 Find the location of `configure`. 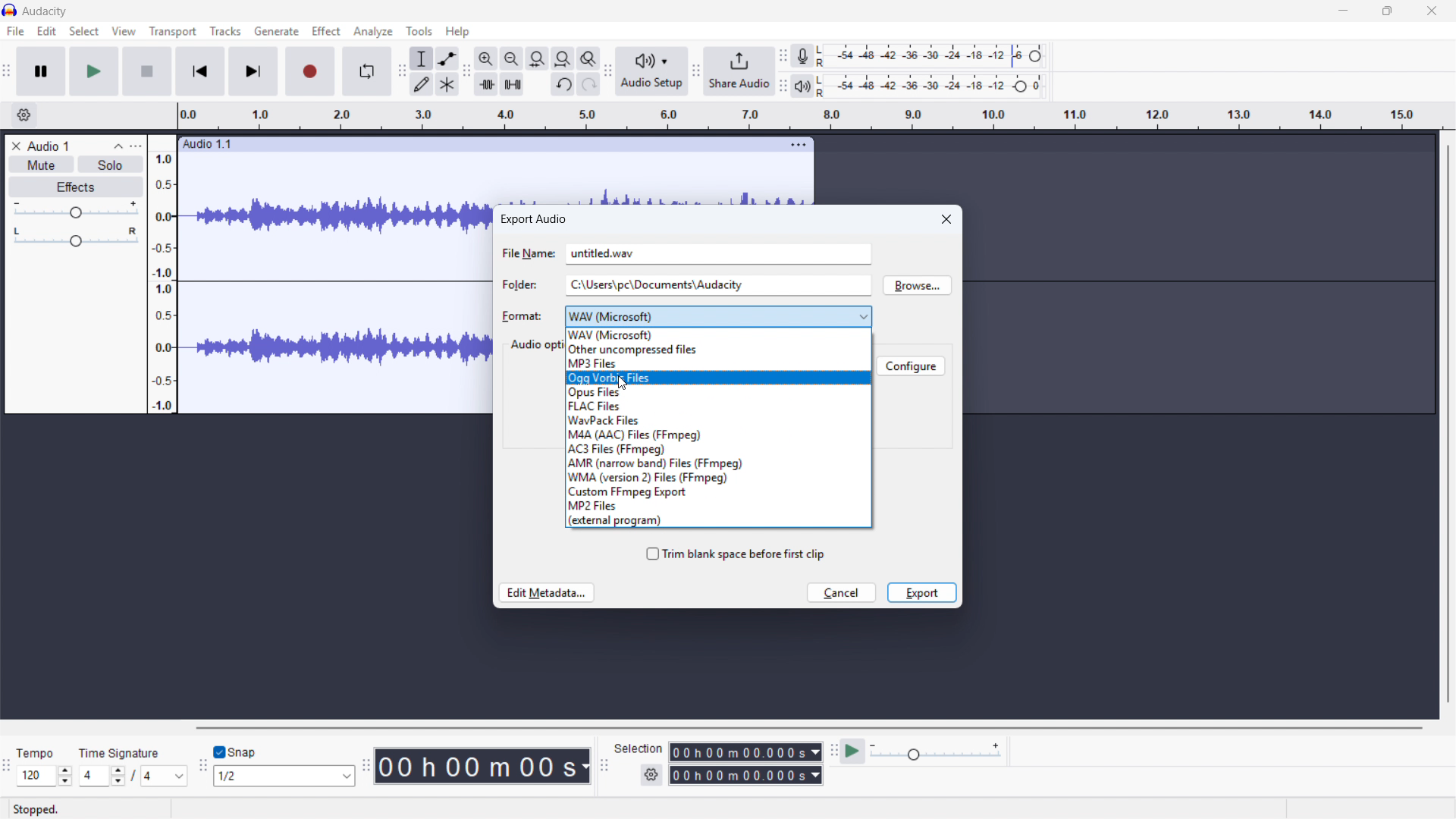

configure is located at coordinates (910, 366).